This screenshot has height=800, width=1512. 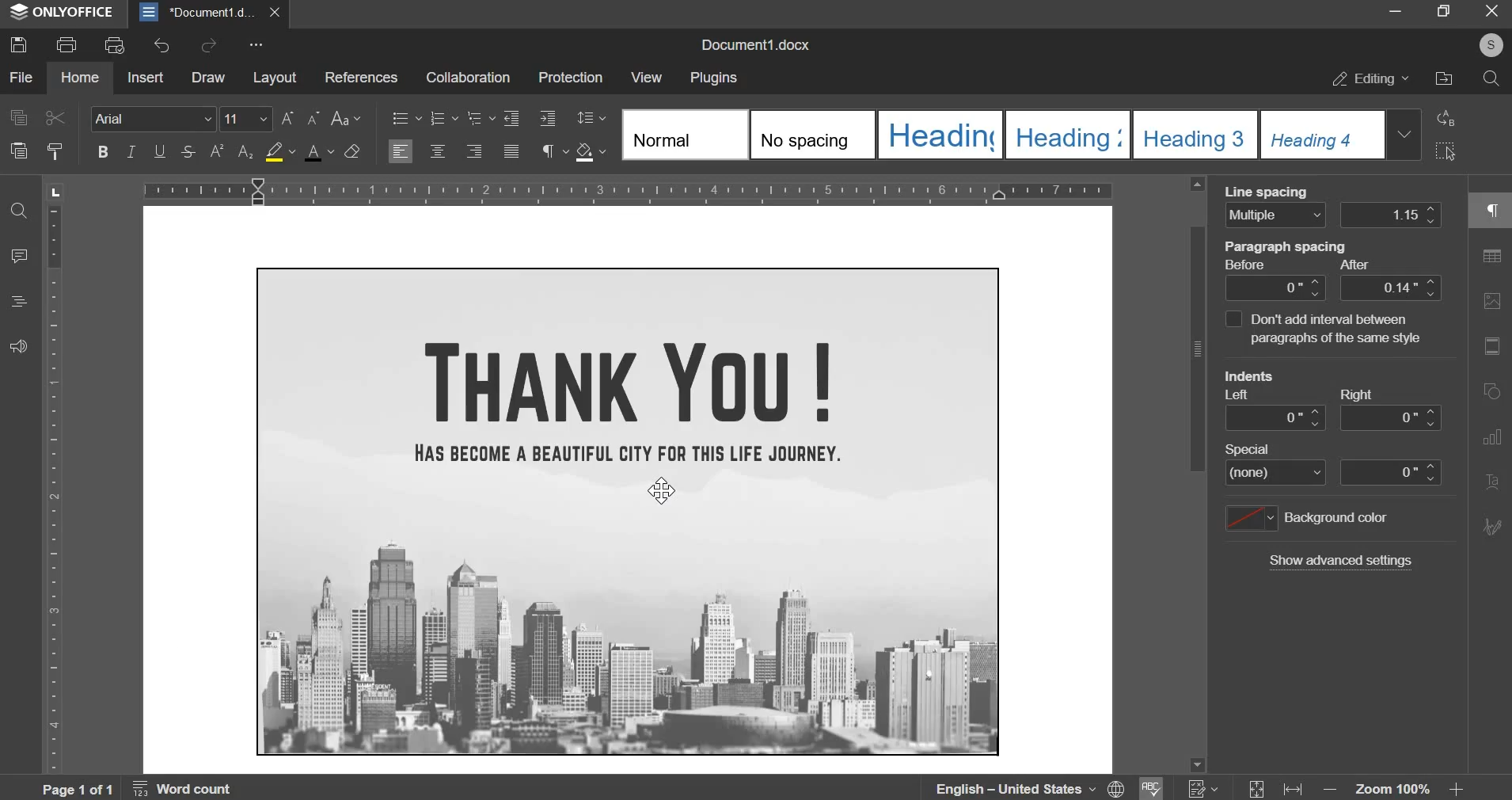 What do you see at coordinates (400, 150) in the screenshot?
I see `align left` at bounding box center [400, 150].